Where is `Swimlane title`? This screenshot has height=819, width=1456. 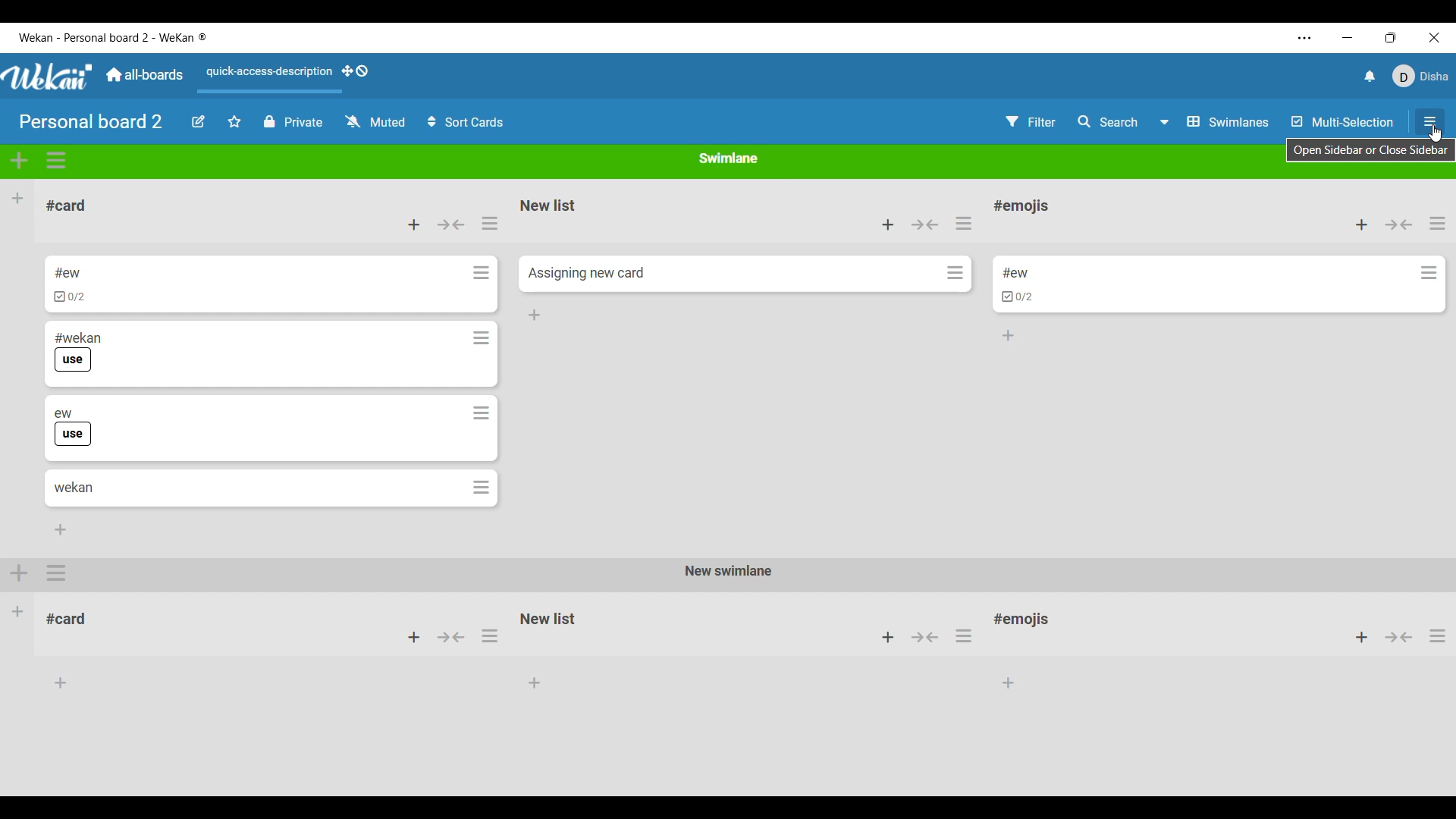 Swimlane title is located at coordinates (728, 158).